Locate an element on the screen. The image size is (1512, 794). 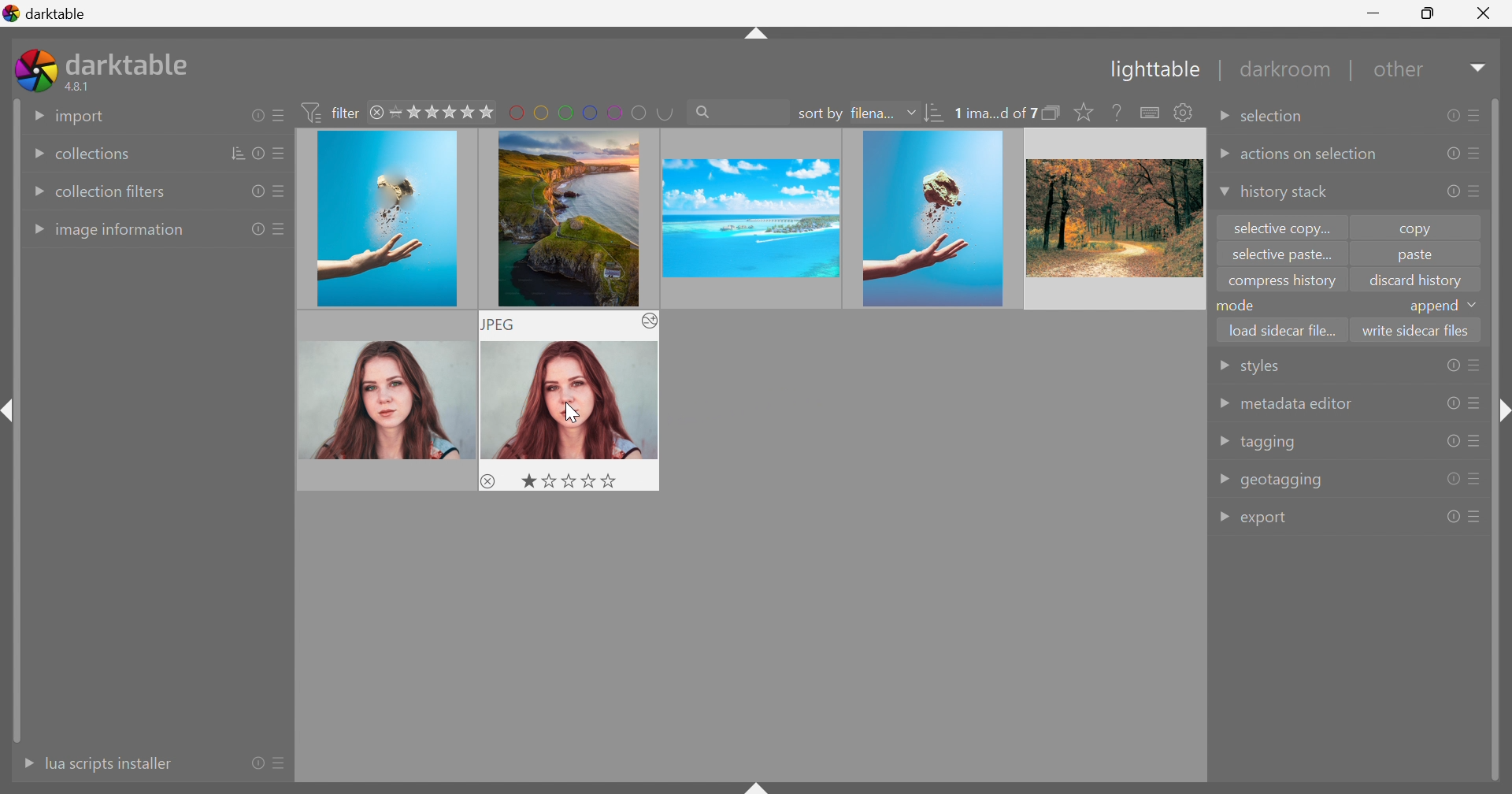
Drop Down is located at coordinates (1222, 403).